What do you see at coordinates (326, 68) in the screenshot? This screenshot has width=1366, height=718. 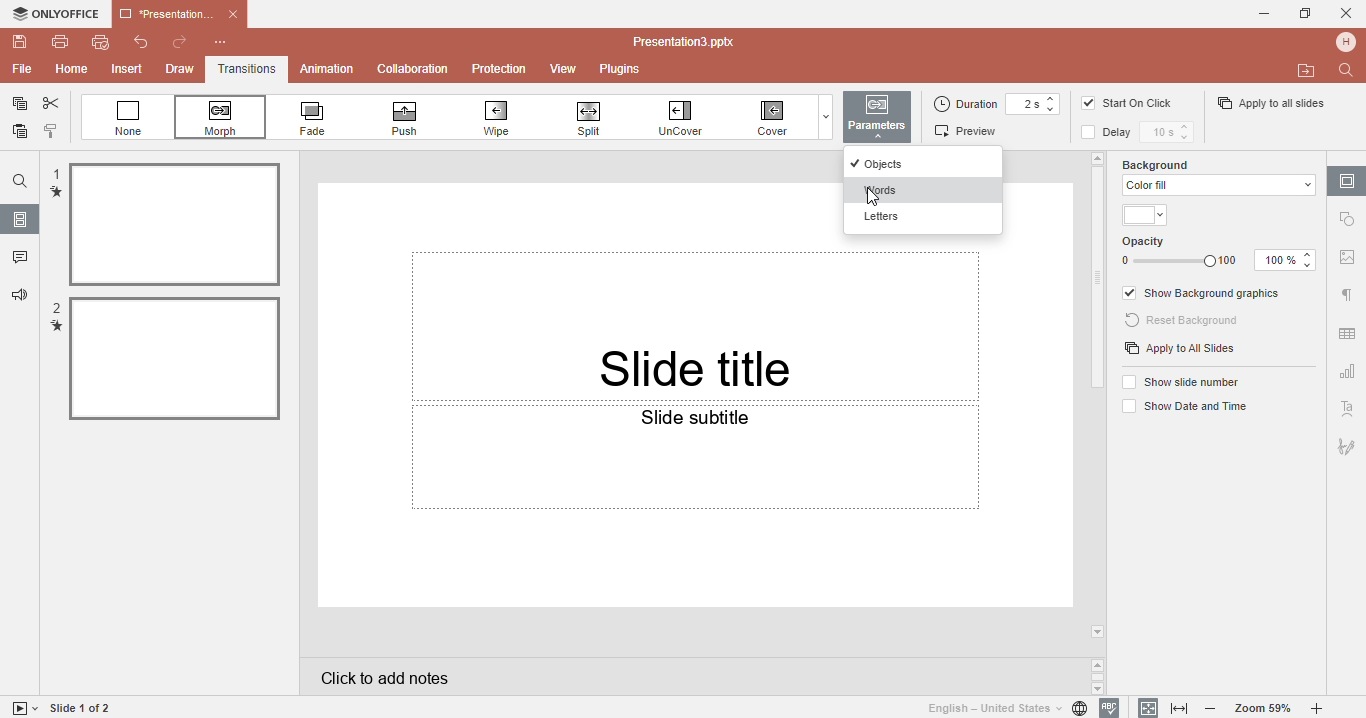 I see `Animation` at bounding box center [326, 68].